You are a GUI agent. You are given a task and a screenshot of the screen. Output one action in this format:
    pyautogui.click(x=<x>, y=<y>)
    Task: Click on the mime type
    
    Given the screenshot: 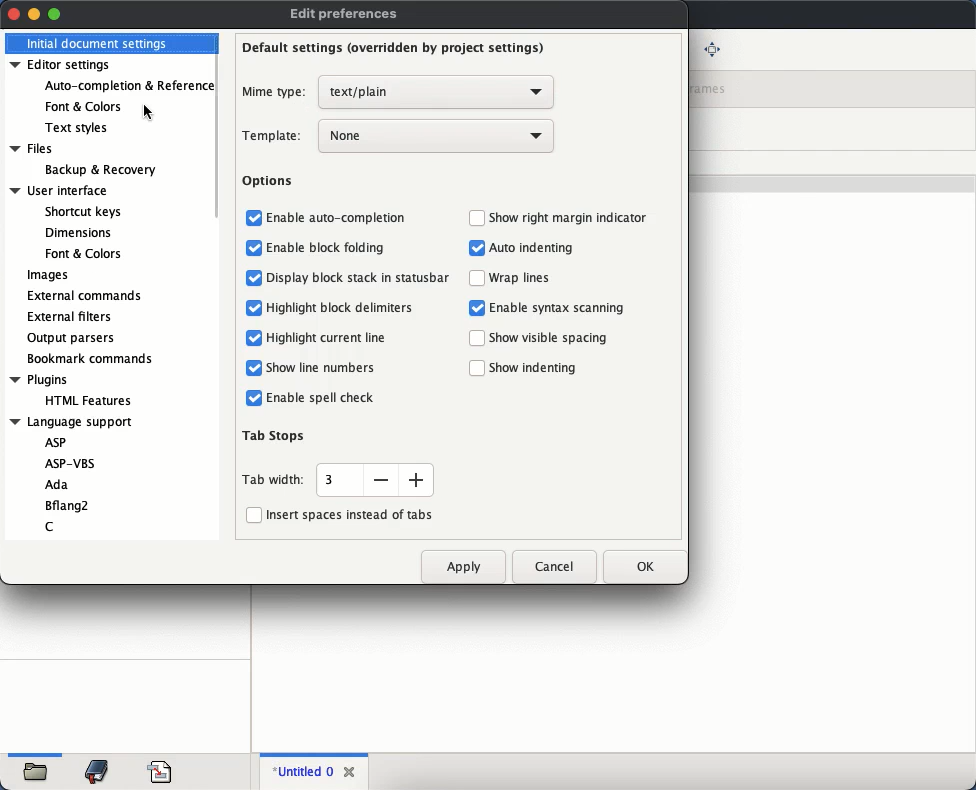 What is the action you would take?
    pyautogui.click(x=278, y=94)
    